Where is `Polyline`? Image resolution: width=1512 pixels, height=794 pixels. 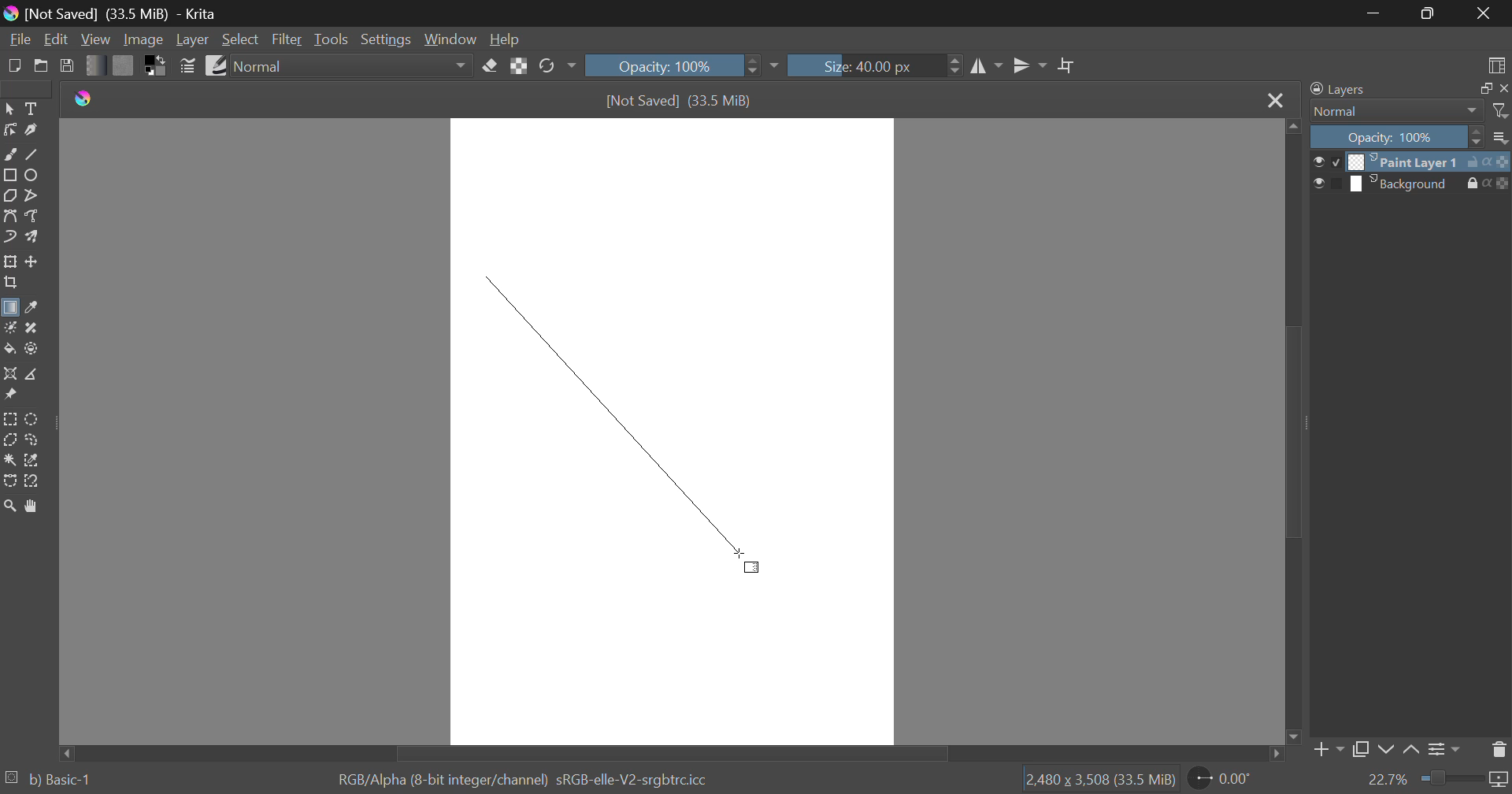
Polyline is located at coordinates (30, 194).